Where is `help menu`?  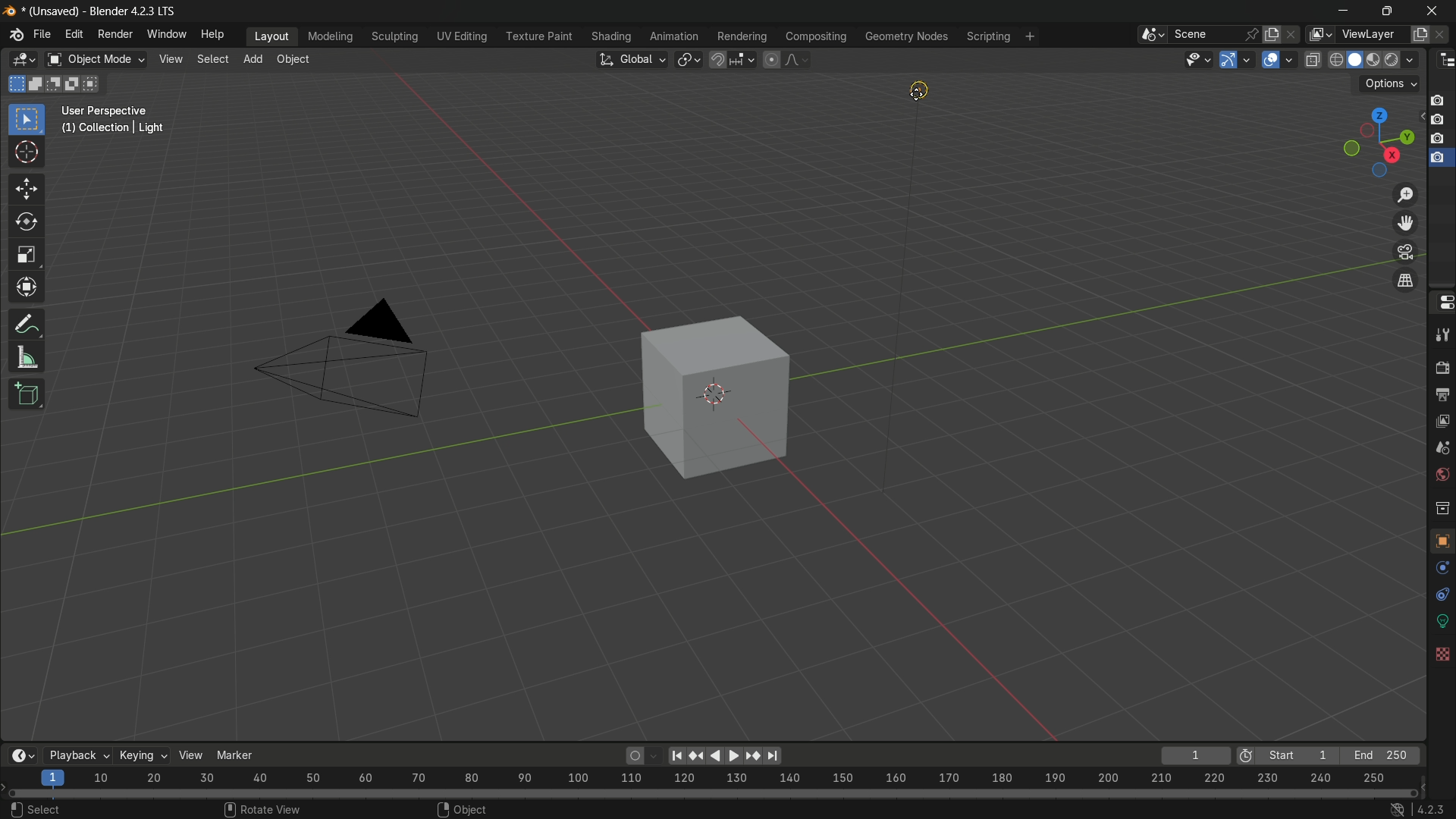 help menu is located at coordinates (212, 33).